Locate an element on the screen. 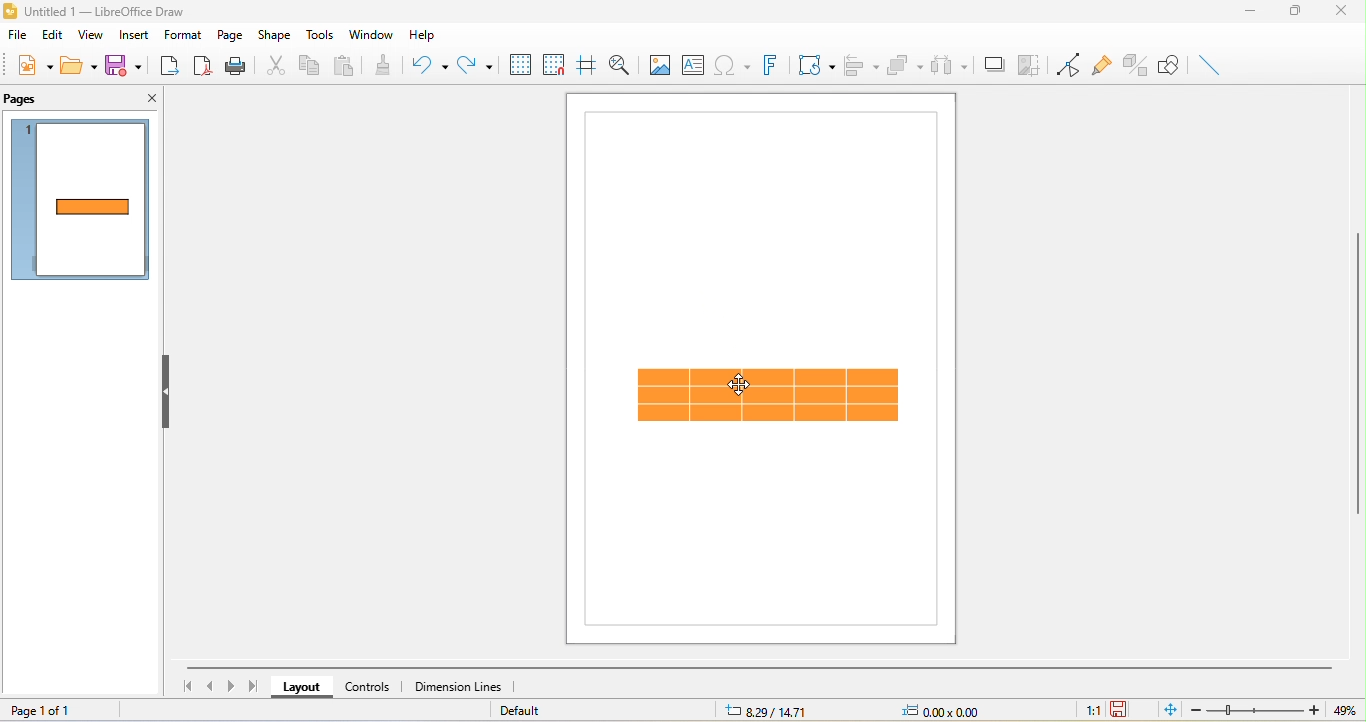 This screenshot has height=722, width=1366. transformation is located at coordinates (812, 63).